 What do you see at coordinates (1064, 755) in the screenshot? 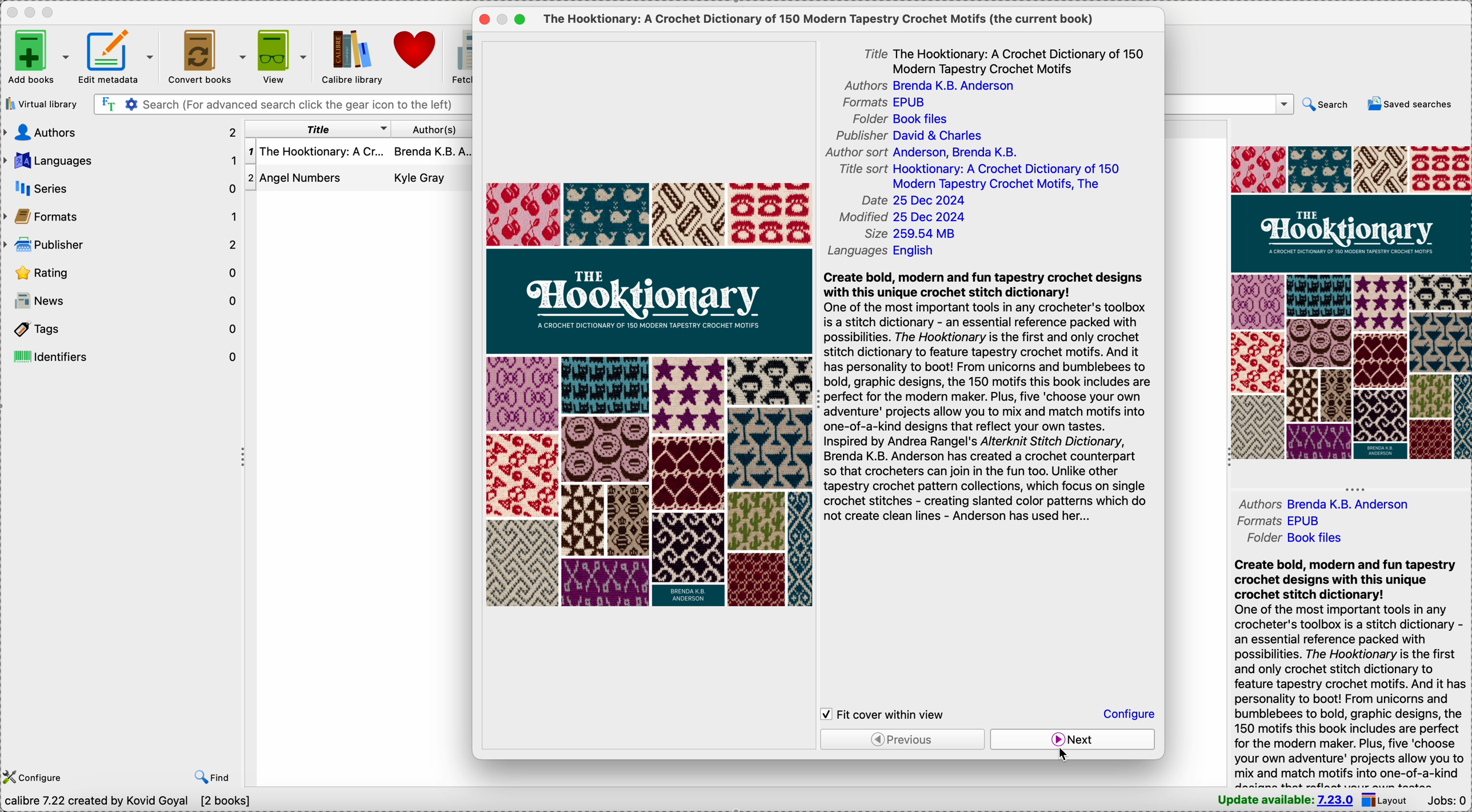
I see `cursor` at bounding box center [1064, 755].